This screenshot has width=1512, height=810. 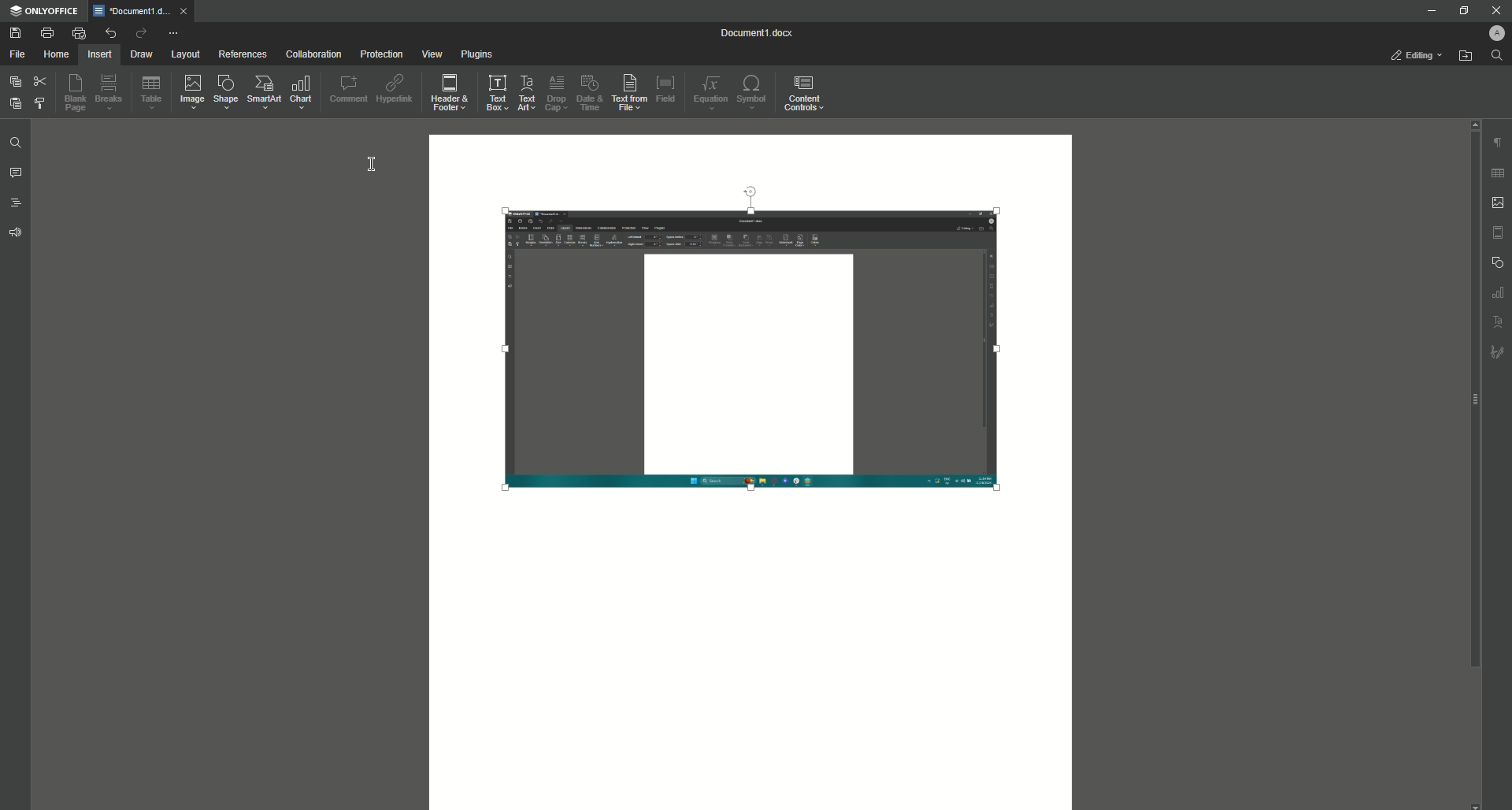 What do you see at coordinates (497, 94) in the screenshot?
I see `Text Box` at bounding box center [497, 94].